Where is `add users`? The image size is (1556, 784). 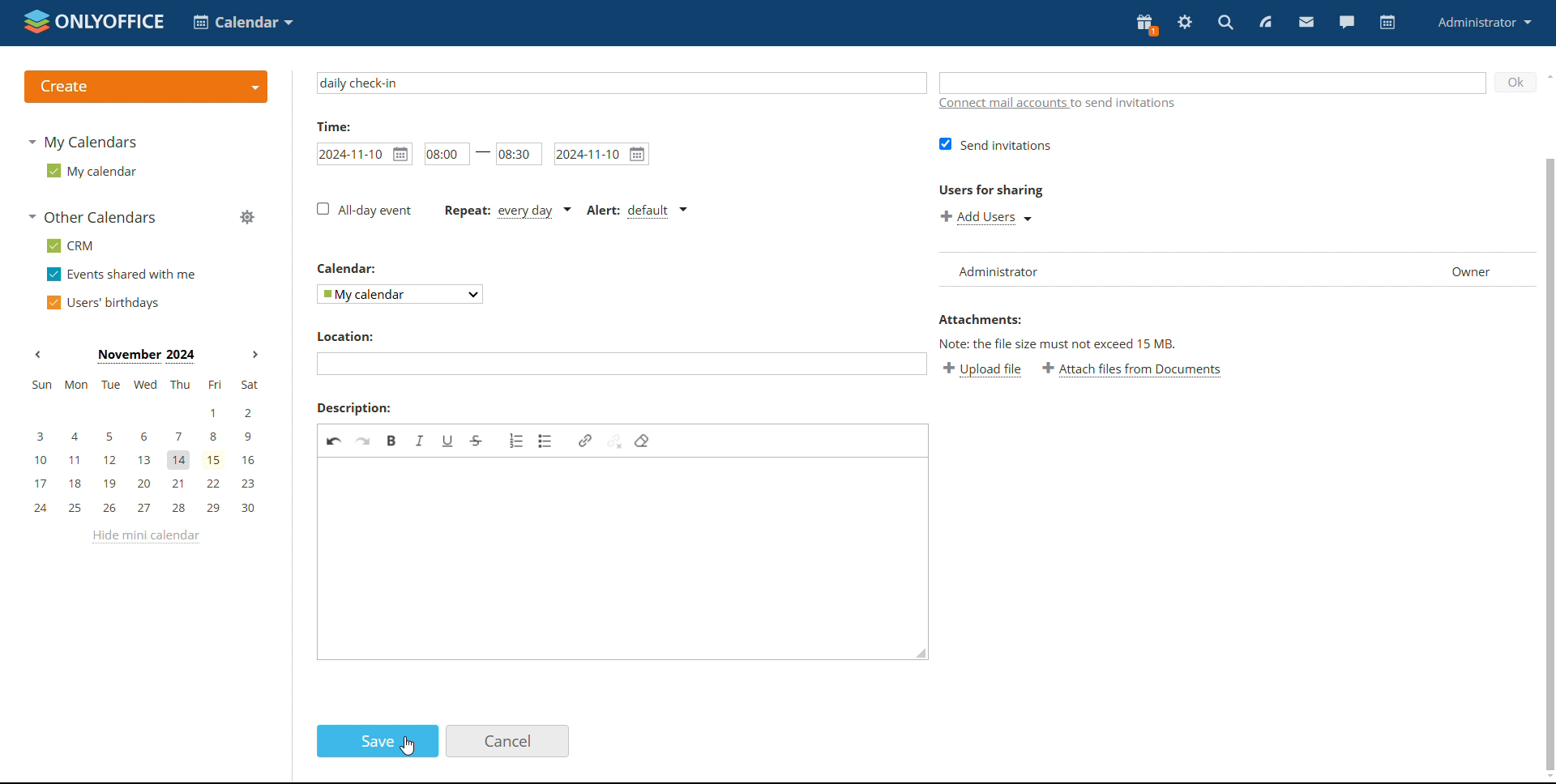
add users is located at coordinates (987, 216).